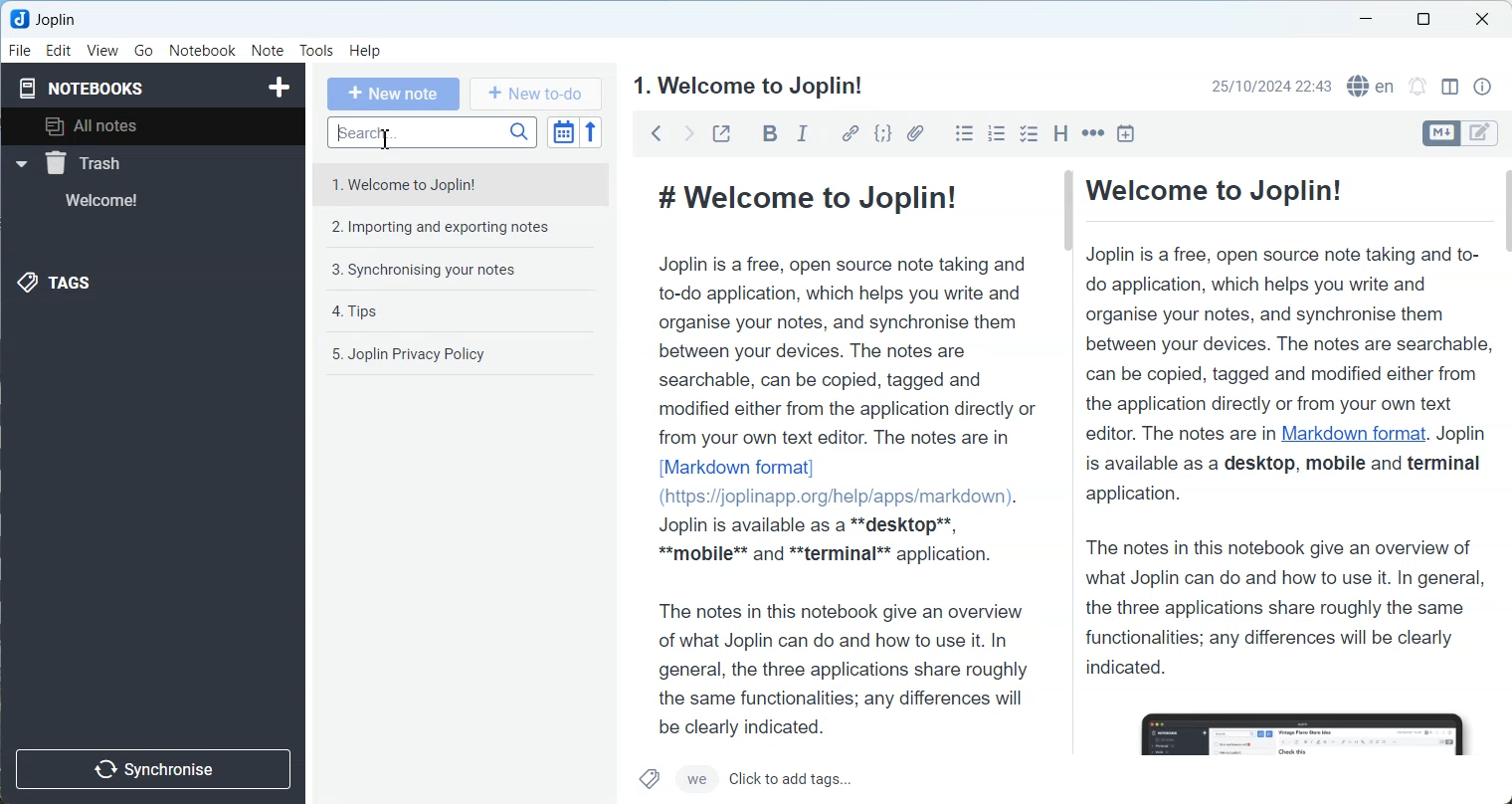  I want to click on 25/10/2024 22:43, so click(1271, 86).